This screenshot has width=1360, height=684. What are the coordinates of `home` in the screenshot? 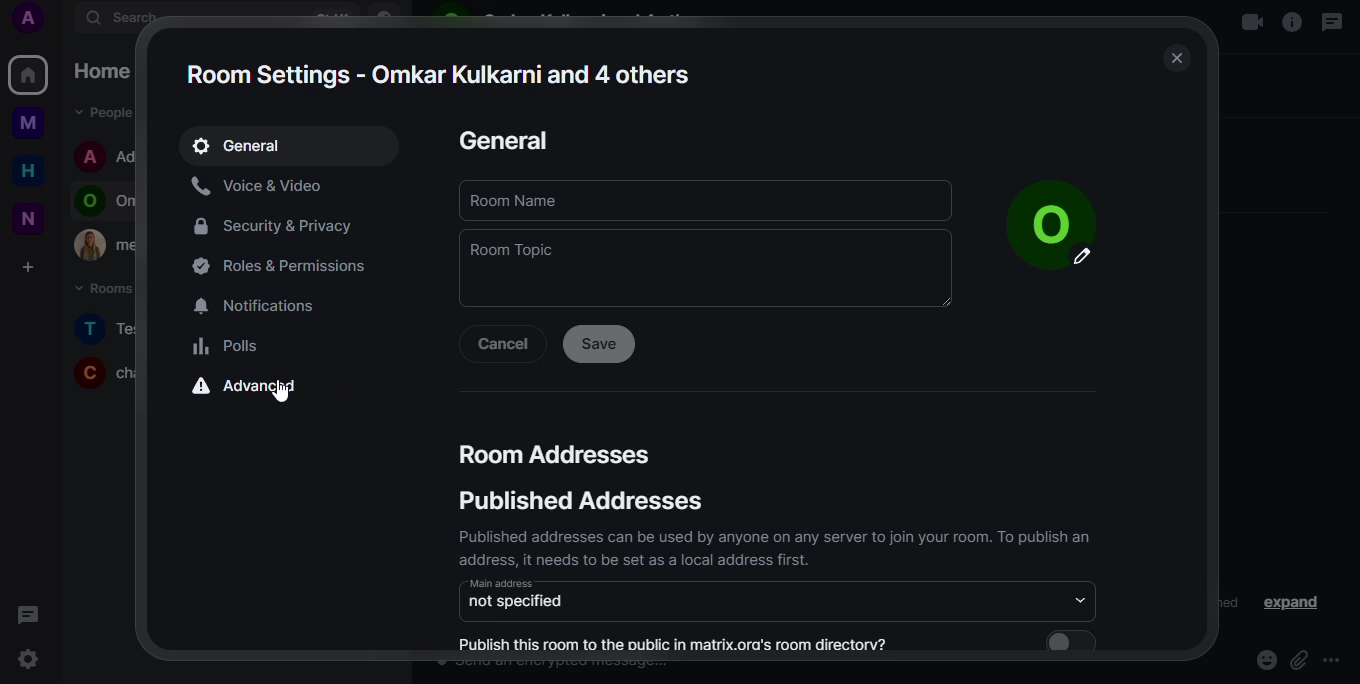 It's located at (28, 75).